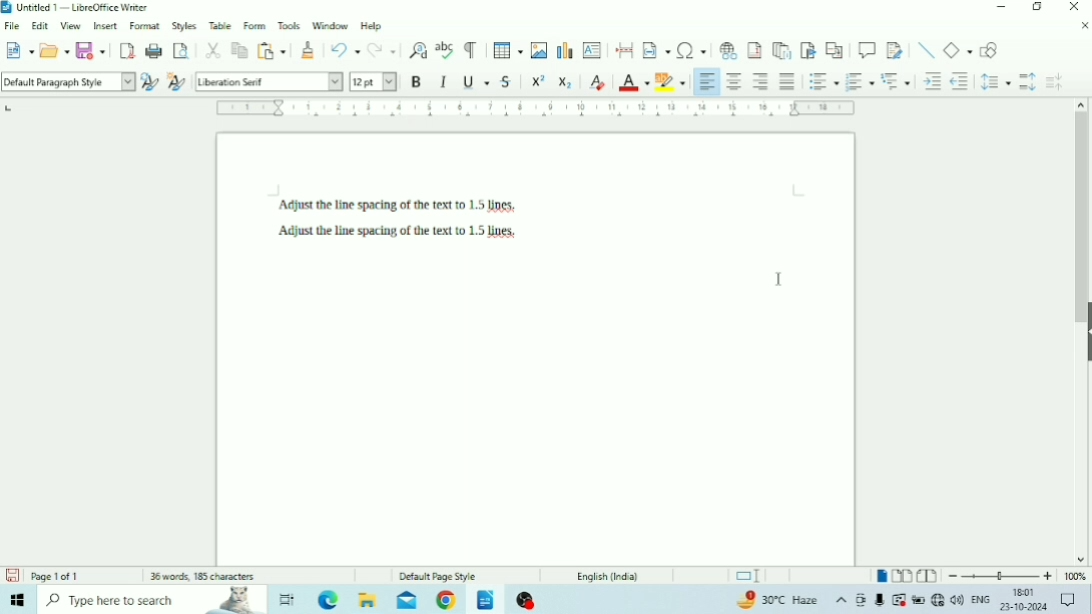 Image resolution: width=1092 pixels, height=614 pixels. Describe the element at coordinates (957, 600) in the screenshot. I see `Speakers` at that location.